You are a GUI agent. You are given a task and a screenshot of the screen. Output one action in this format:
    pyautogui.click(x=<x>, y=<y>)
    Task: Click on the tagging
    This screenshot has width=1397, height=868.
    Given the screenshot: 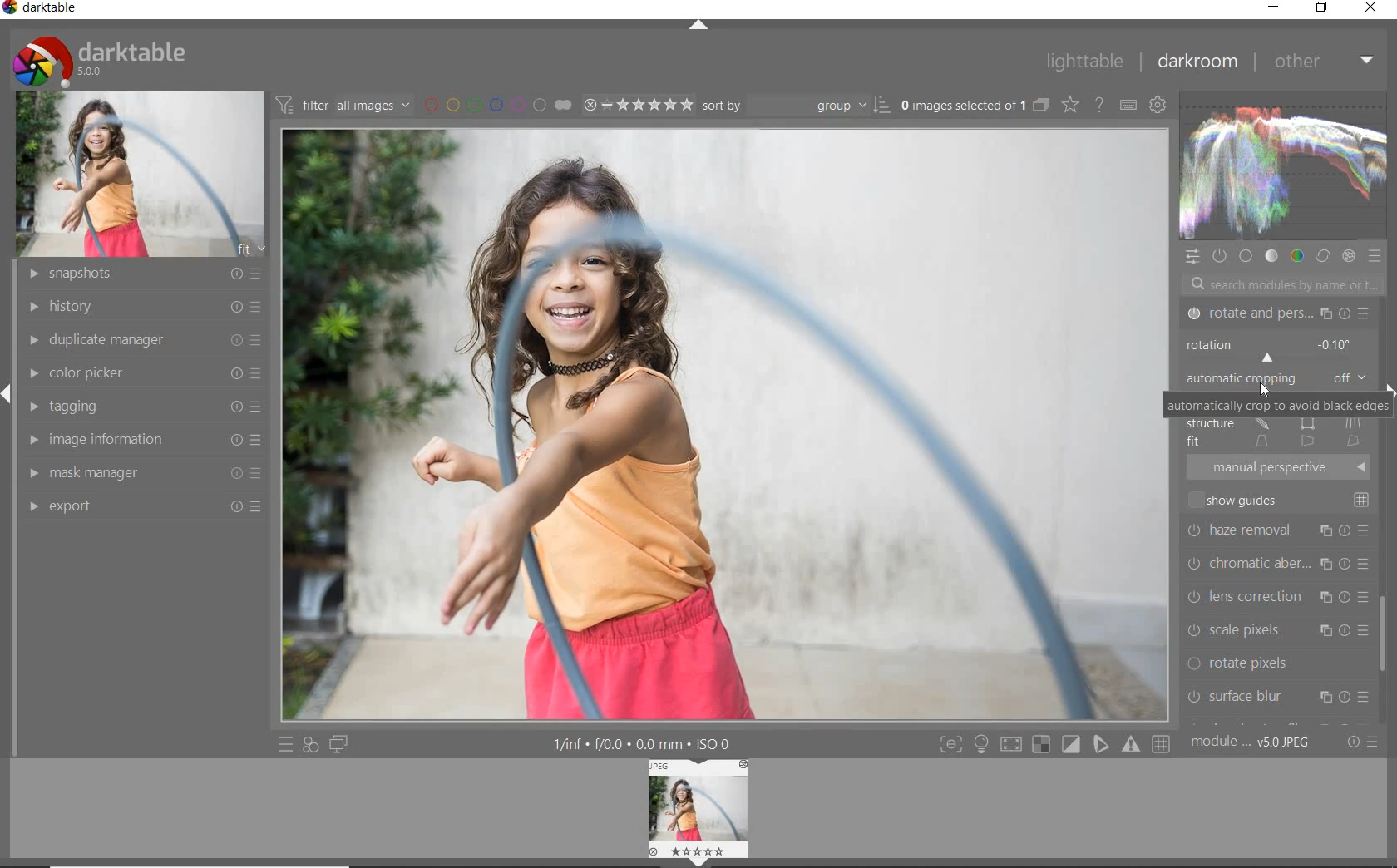 What is the action you would take?
    pyautogui.click(x=144, y=406)
    